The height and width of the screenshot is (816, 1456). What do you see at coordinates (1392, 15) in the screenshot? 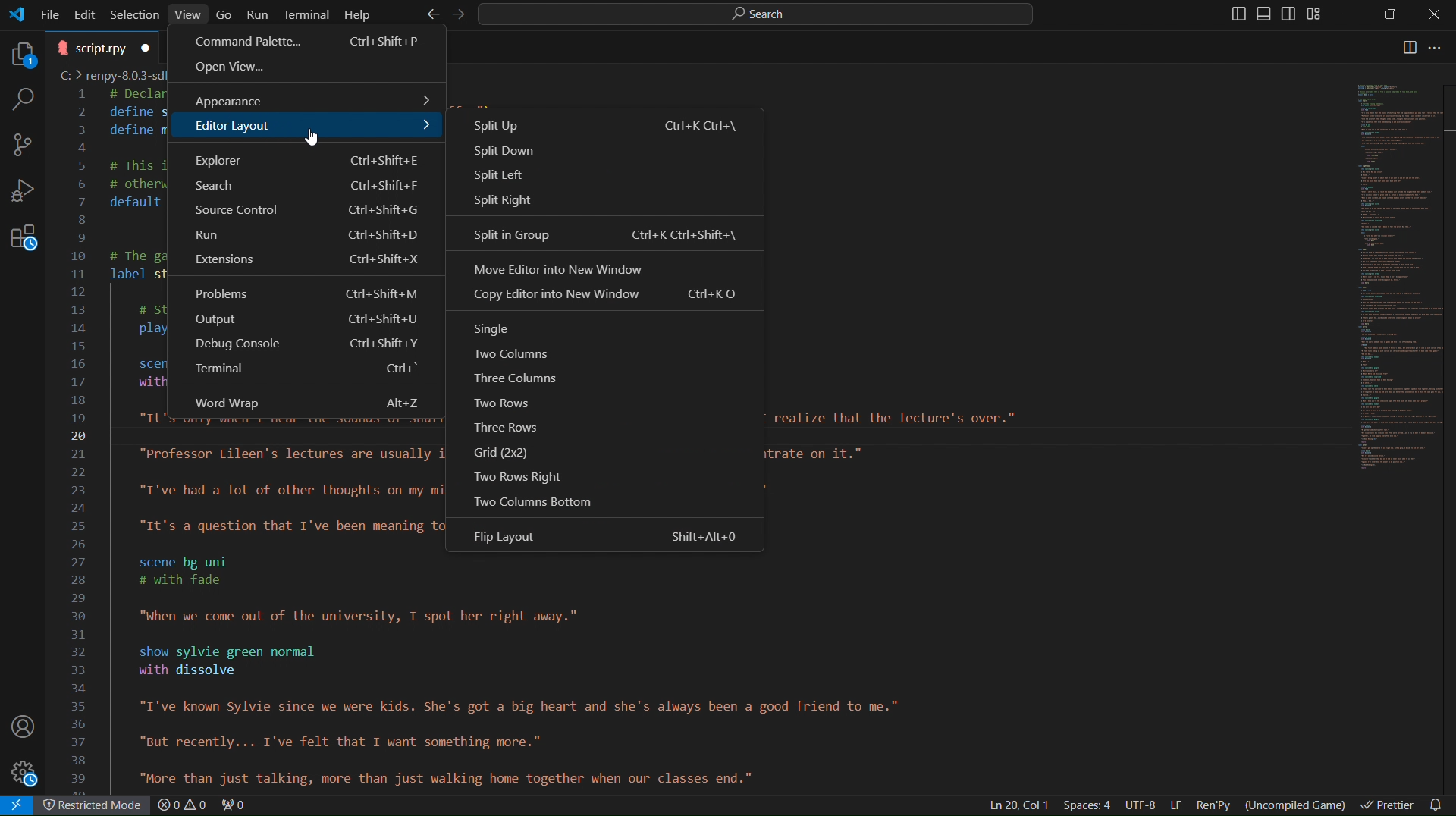
I see `Maximize/Restore` at bounding box center [1392, 15].